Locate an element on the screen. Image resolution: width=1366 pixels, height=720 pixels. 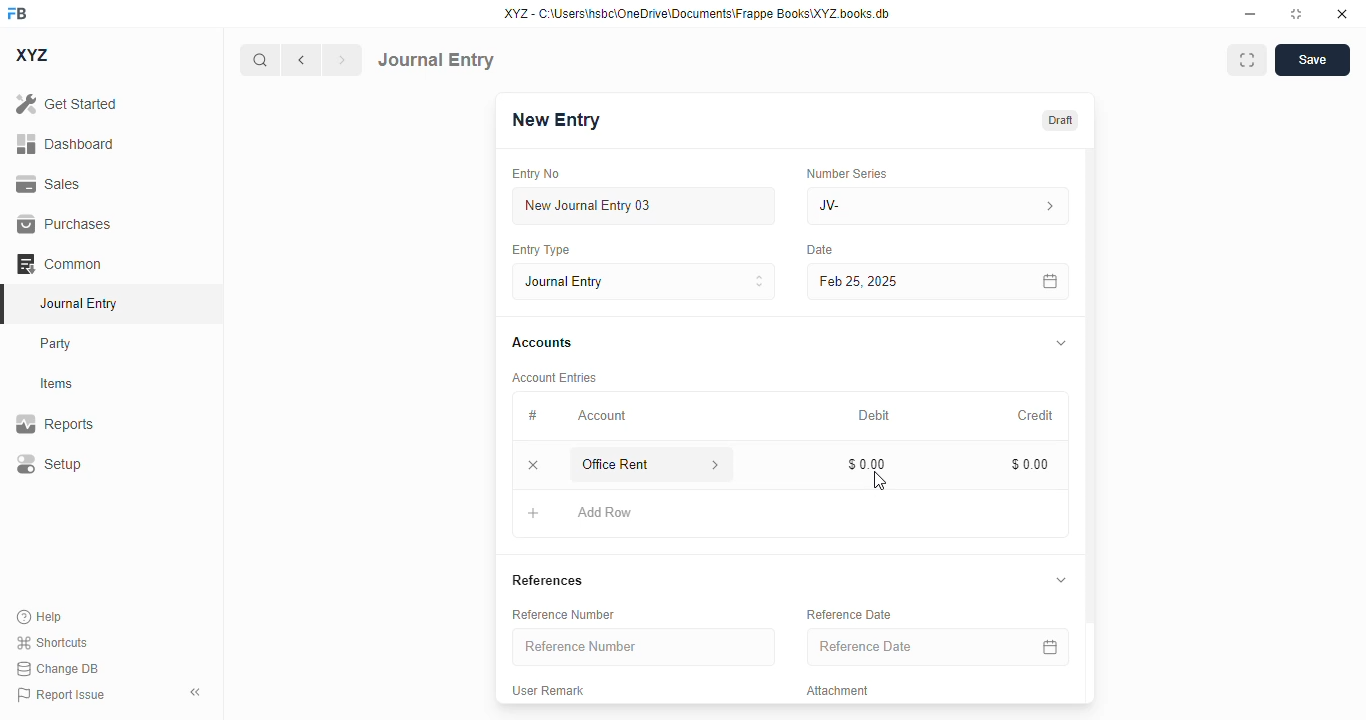
help is located at coordinates (40, 617).